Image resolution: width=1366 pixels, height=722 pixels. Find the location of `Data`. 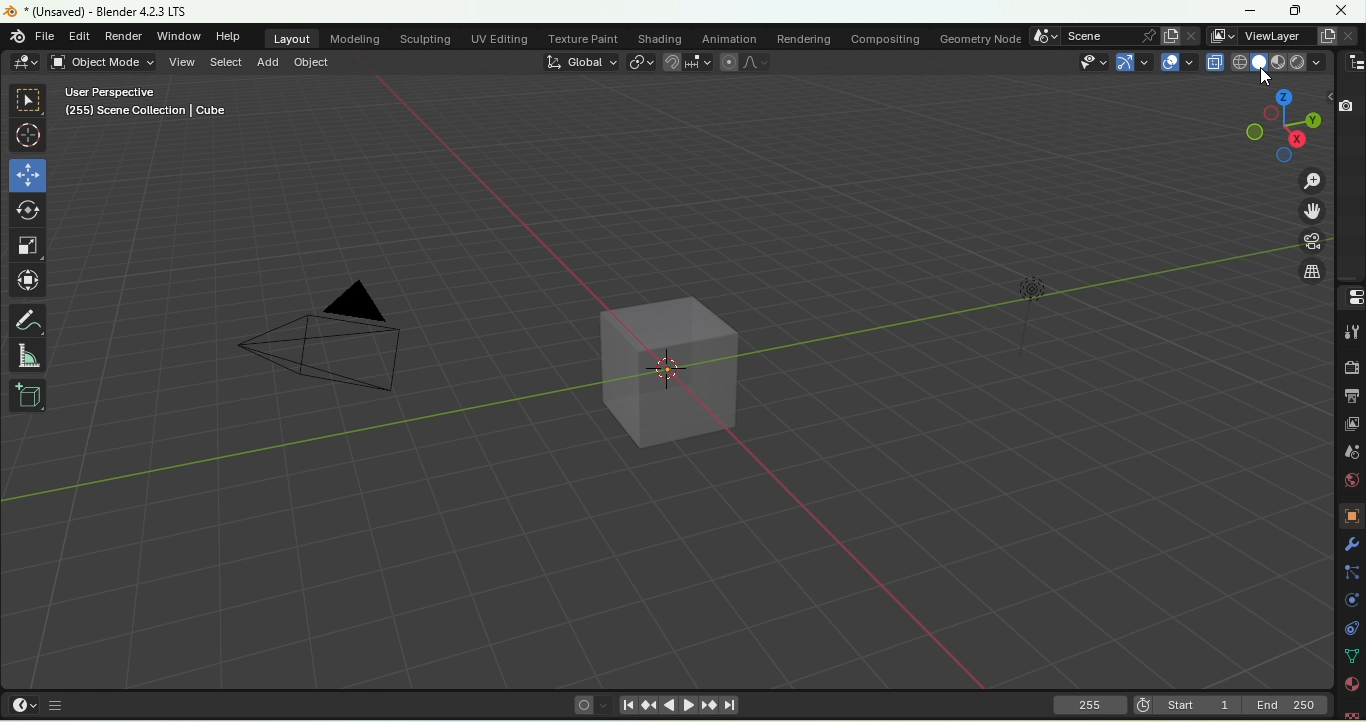

Data is located at coordinates (1352, 657).